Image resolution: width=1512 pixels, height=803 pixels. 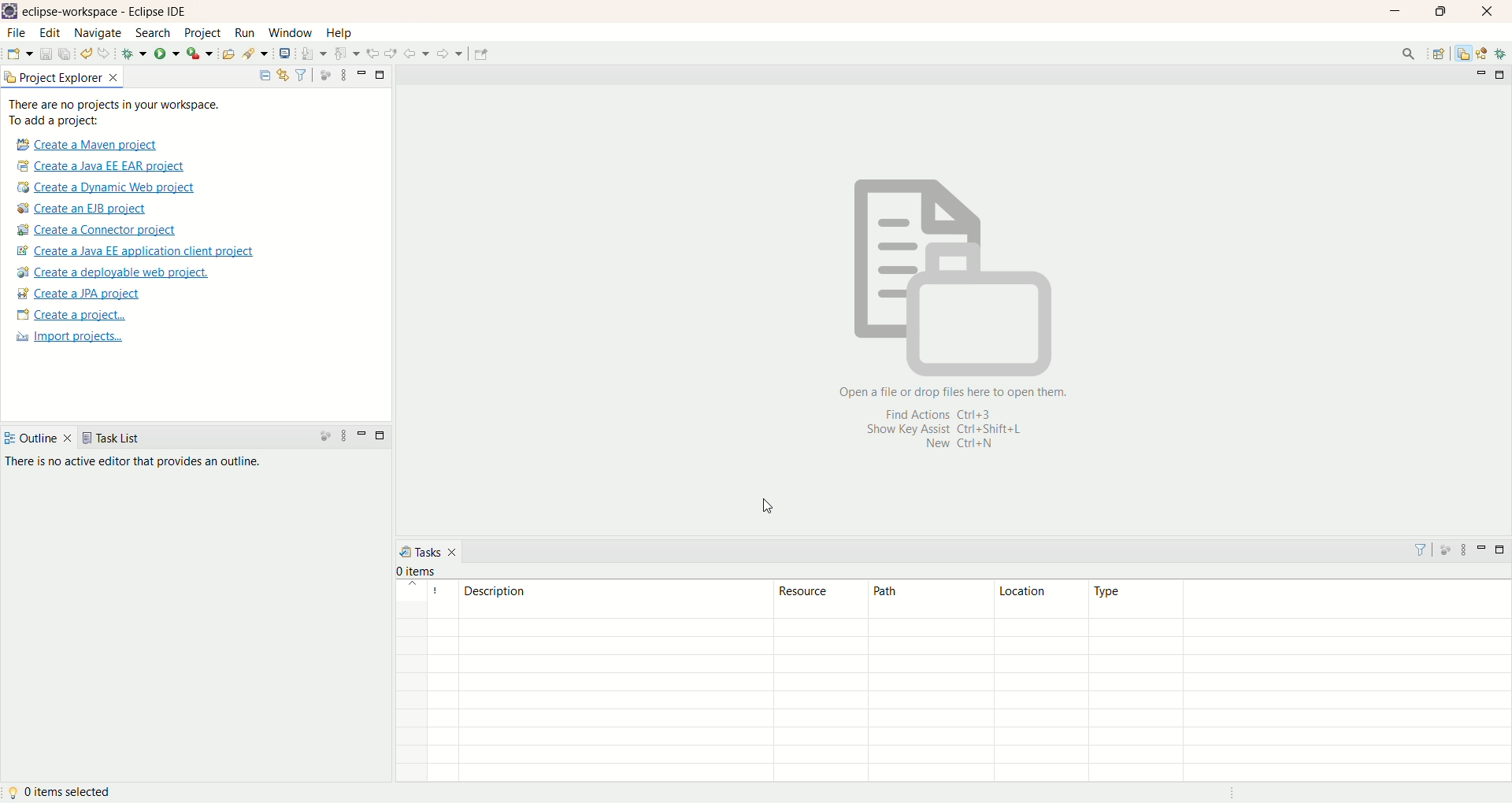 What do you see at coordinates (109, 187) in the screenshot?
I see `create a dynamic web project` at bounding box center [109, 187].